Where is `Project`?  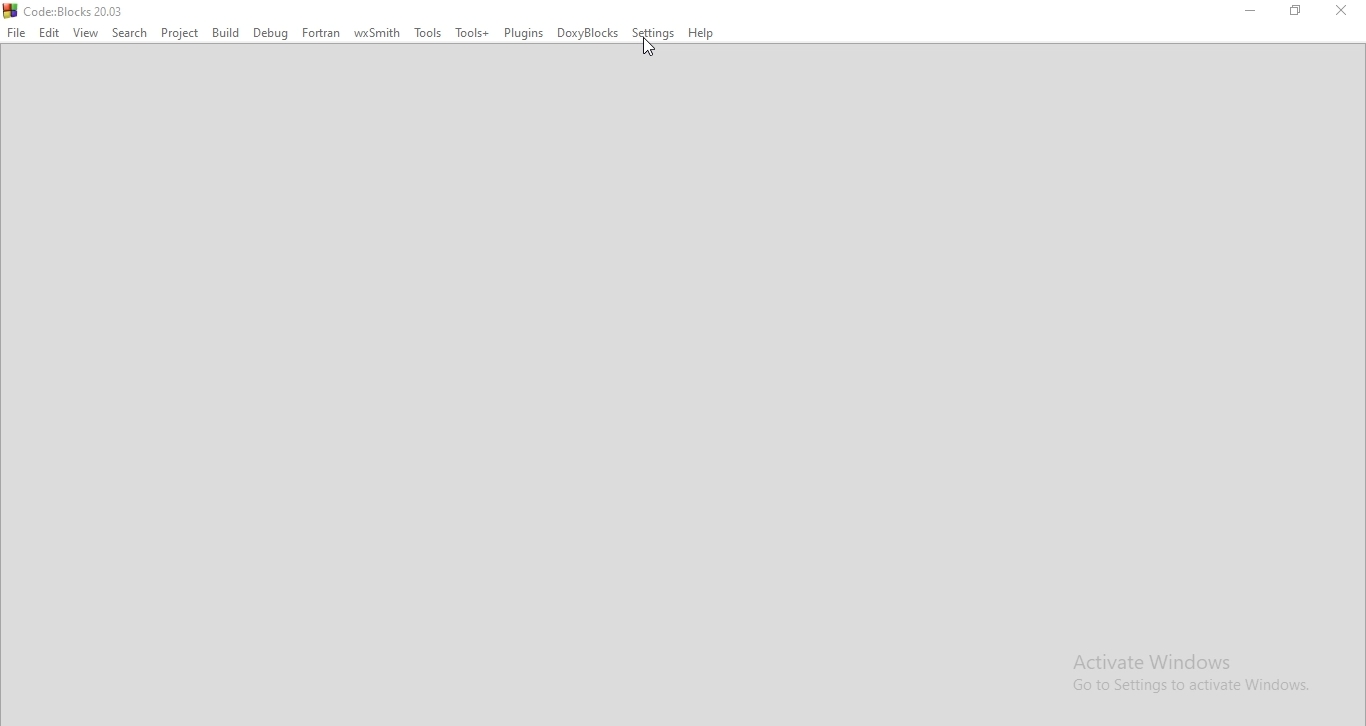 Project is located at coordinates (183, 33).